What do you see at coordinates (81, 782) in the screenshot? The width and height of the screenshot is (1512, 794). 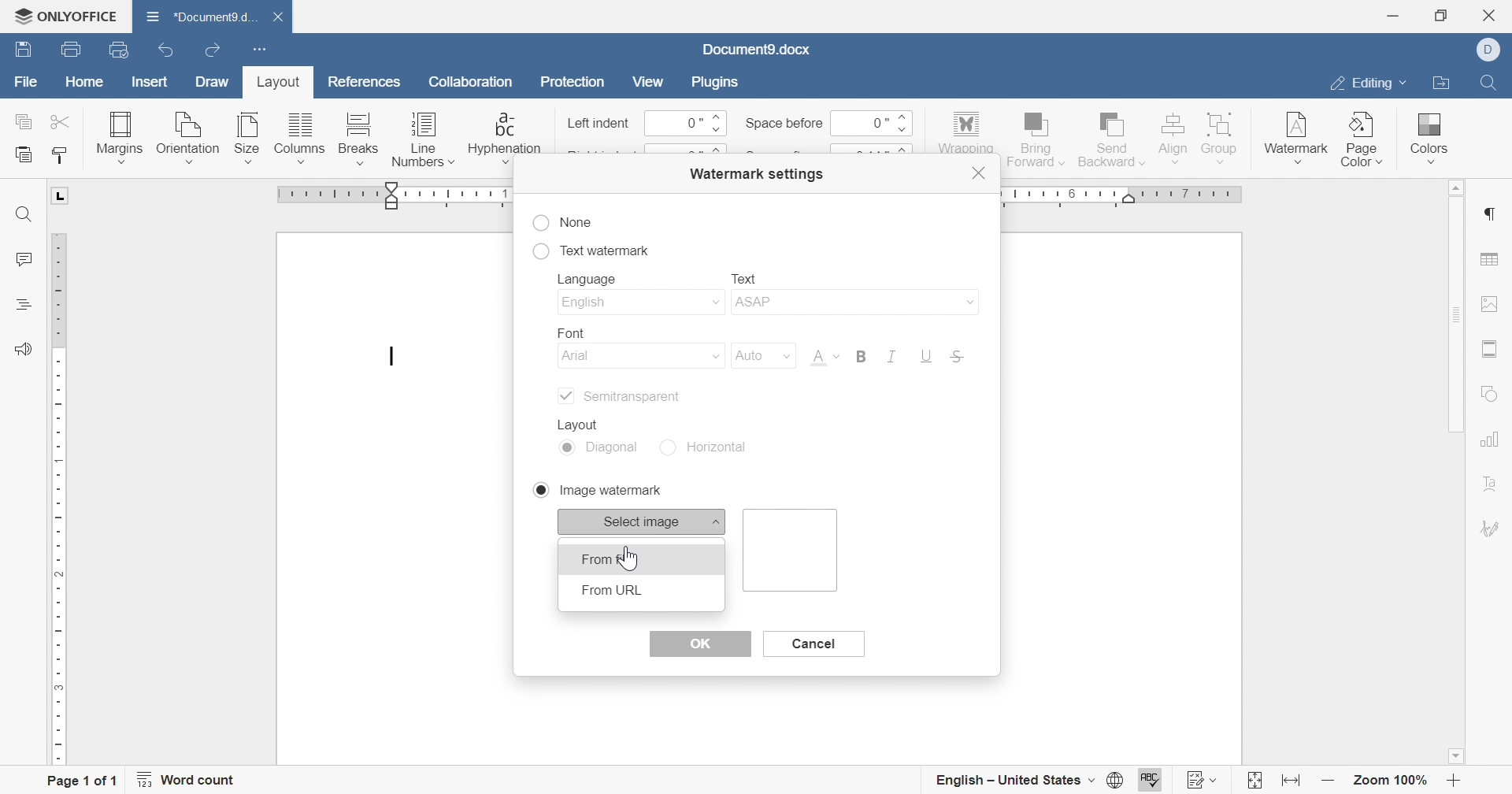 I see `page 1 of 1` at bounding box center [81, 782].